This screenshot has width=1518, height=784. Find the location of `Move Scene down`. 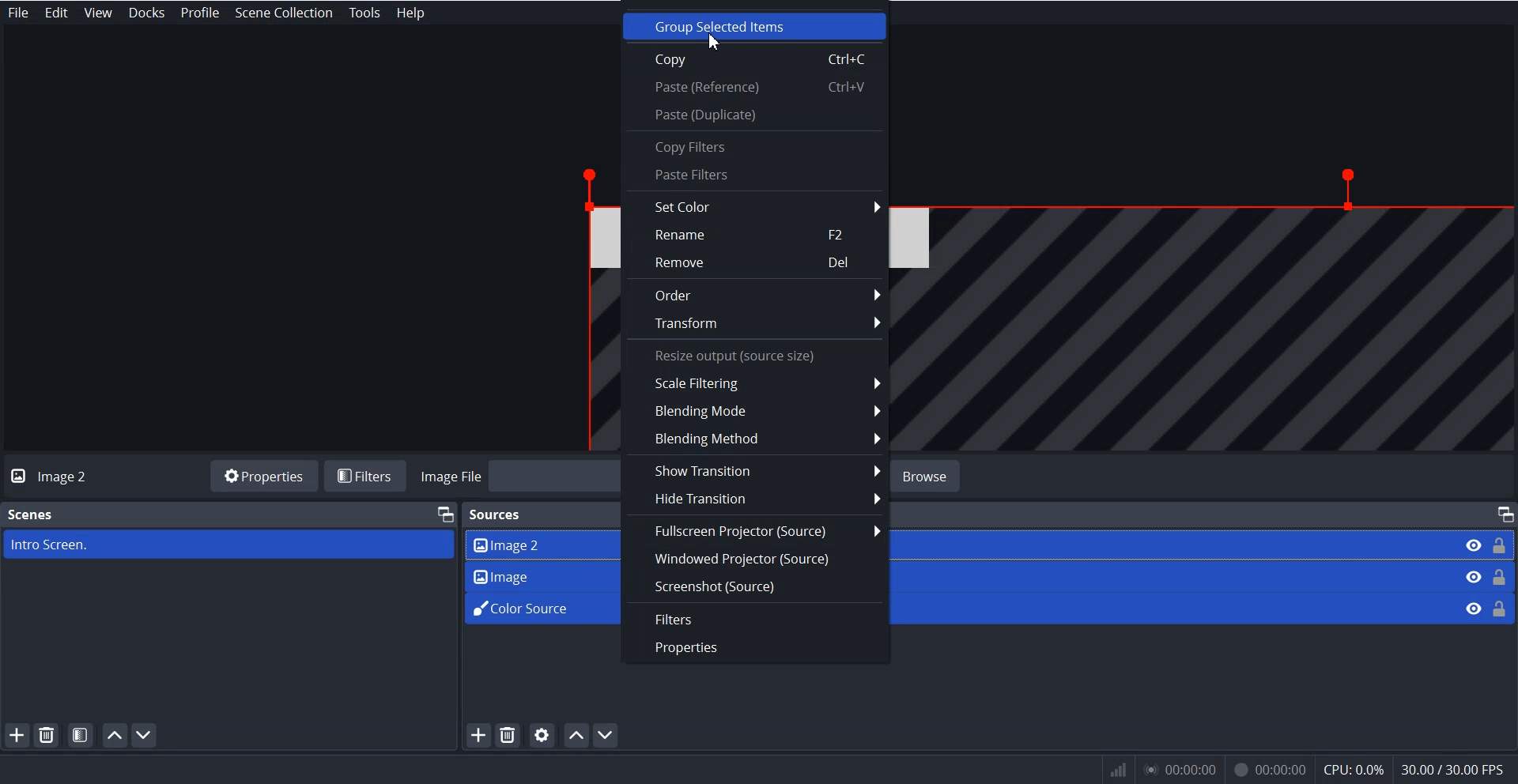

Move Scene down is located at coordinates (609, 735).